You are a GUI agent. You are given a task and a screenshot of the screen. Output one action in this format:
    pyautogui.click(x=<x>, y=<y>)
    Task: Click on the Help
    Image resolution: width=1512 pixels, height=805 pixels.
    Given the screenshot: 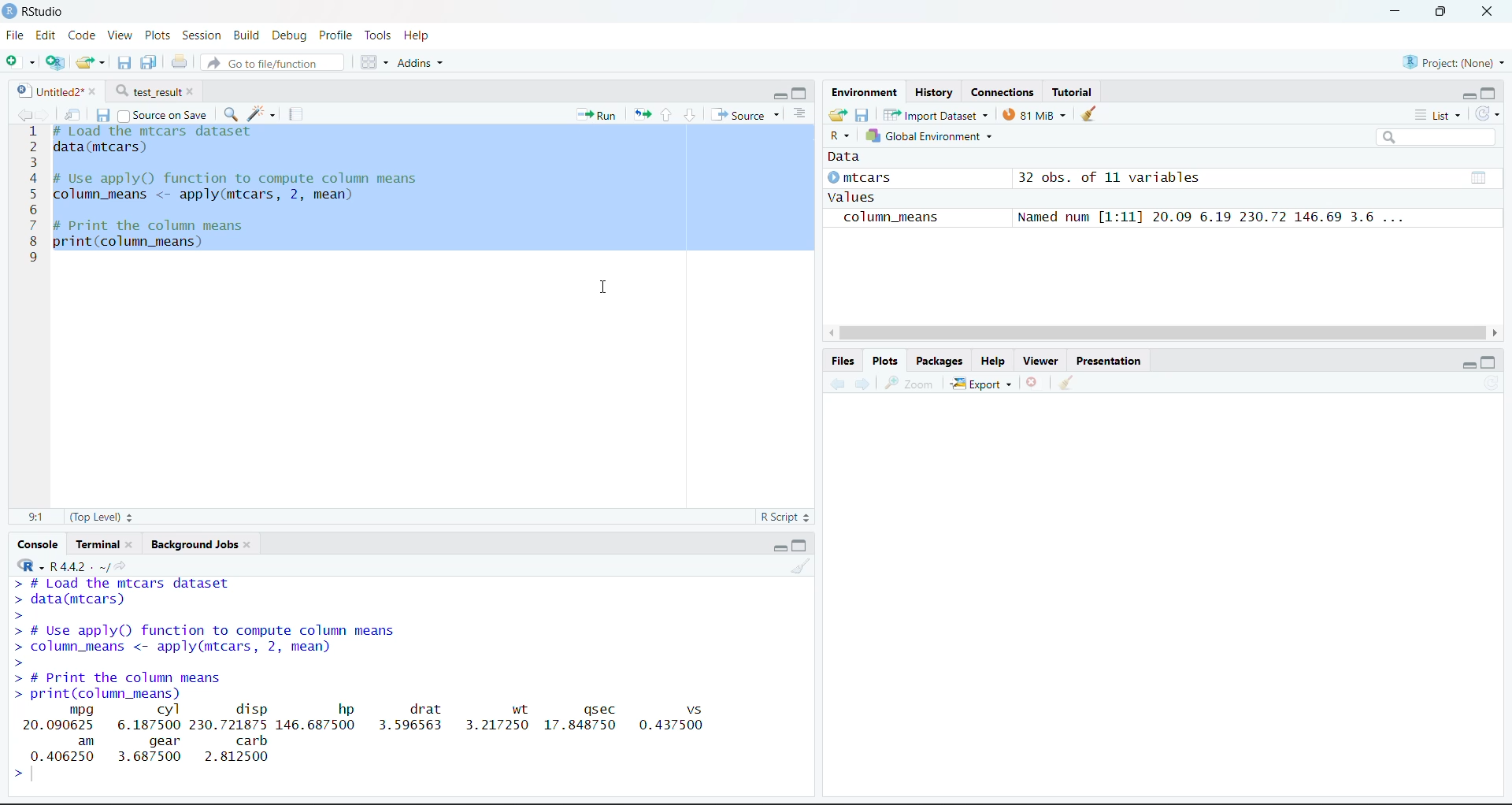 What is the action you would take?
    pyautogui.click(x=994, y=359)
    